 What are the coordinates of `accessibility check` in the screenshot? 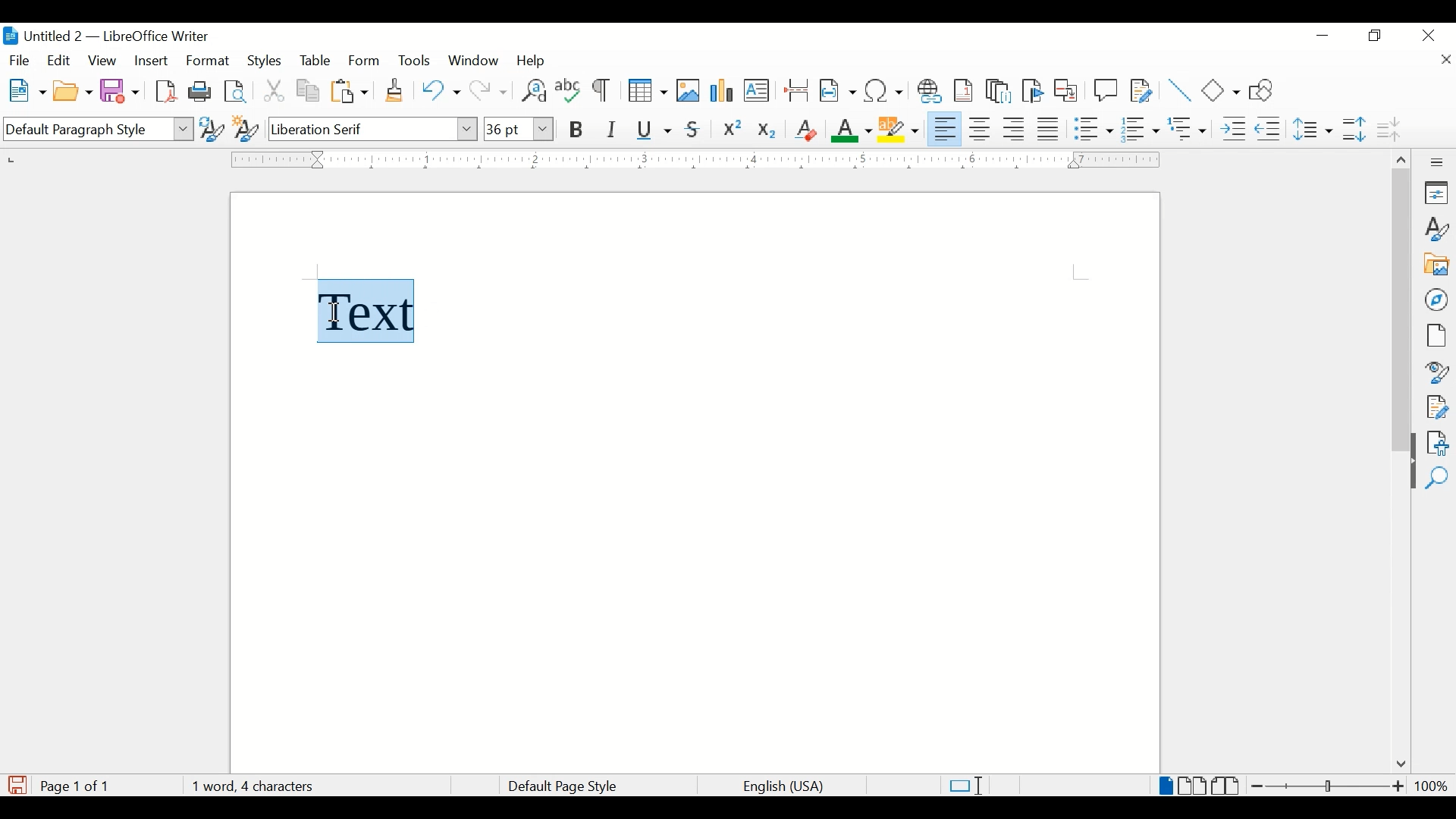 It's located at (1438, 443).